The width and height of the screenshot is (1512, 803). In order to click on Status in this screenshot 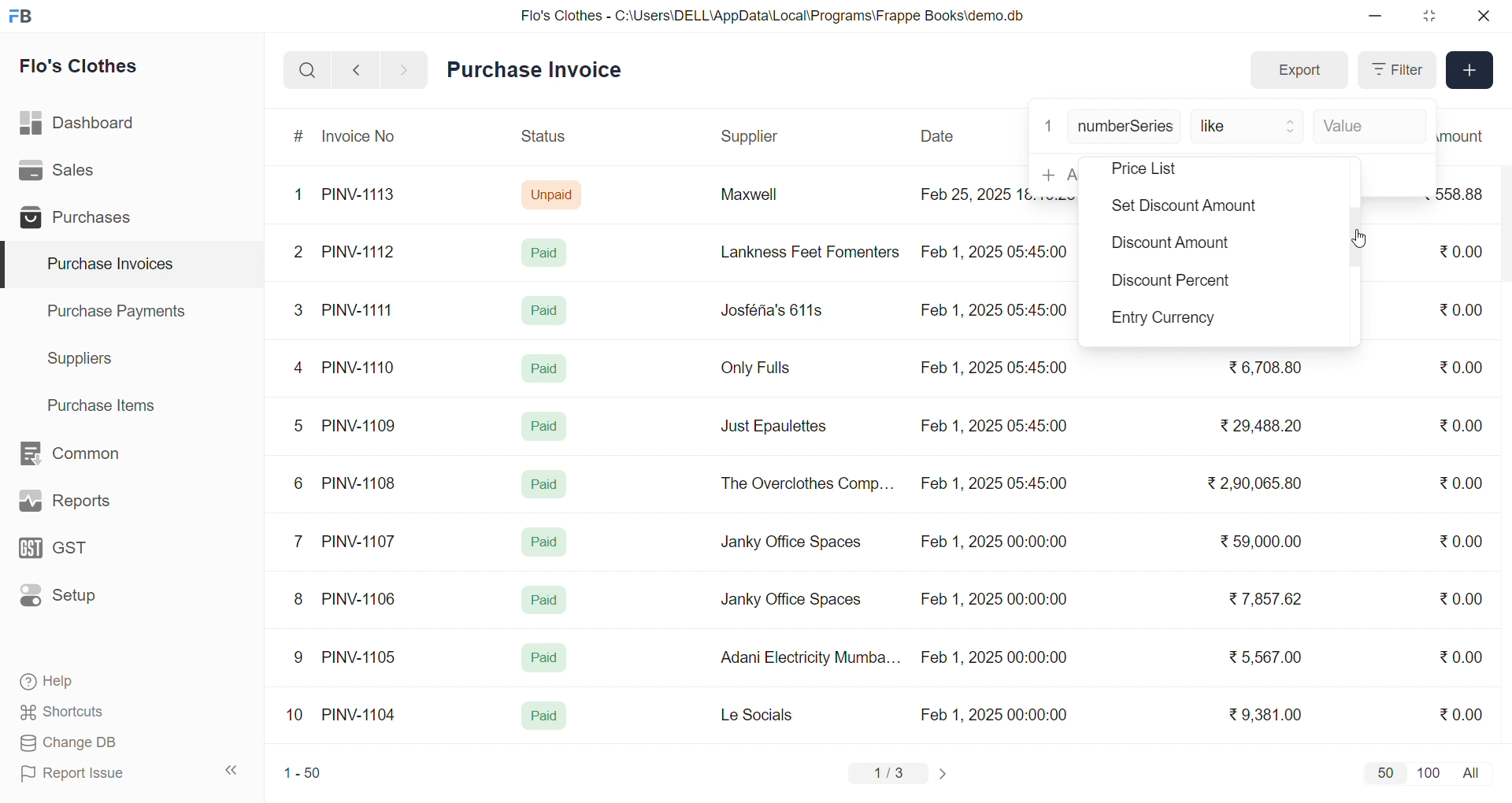, I will do `click(542, 139)`.